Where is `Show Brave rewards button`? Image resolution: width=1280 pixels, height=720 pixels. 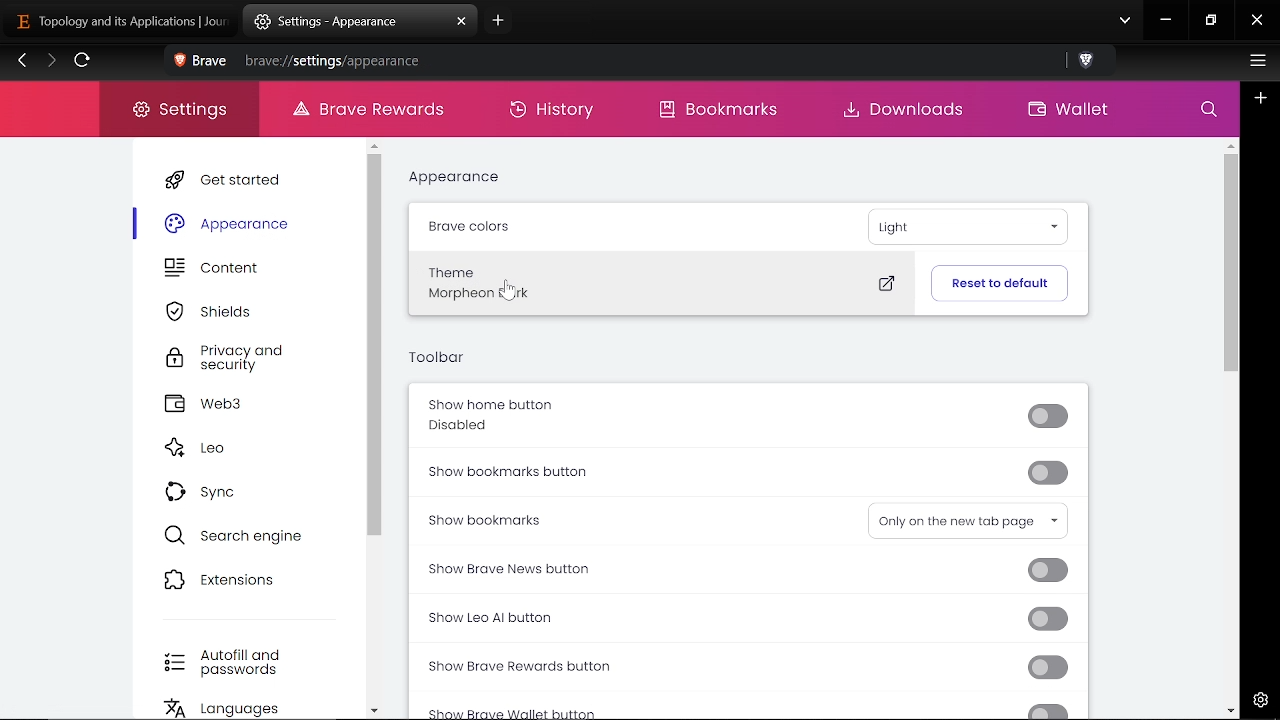 Show Brave rewards button is located at coordinates (749, 668).